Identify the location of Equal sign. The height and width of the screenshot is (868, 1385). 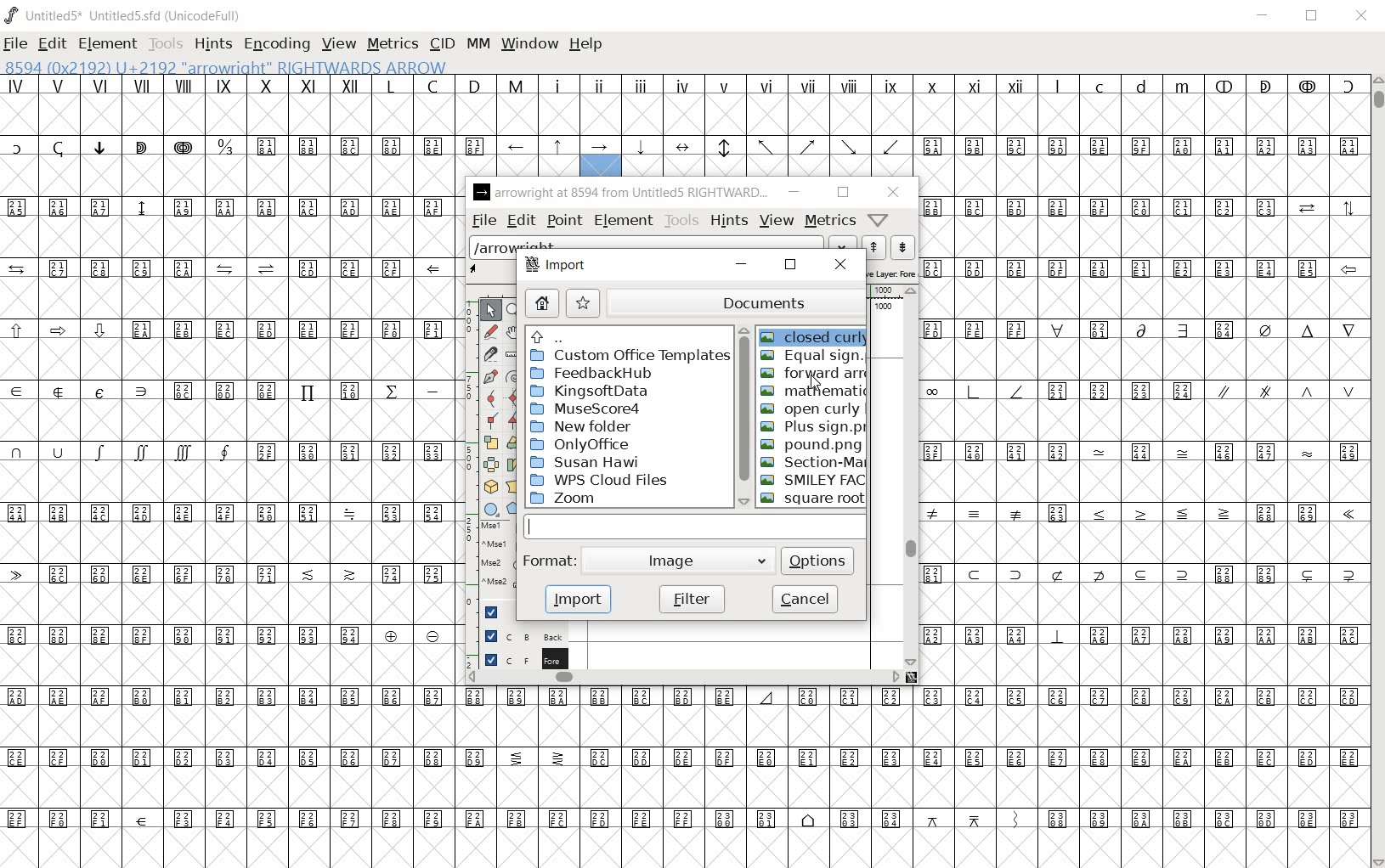
(813, 358).